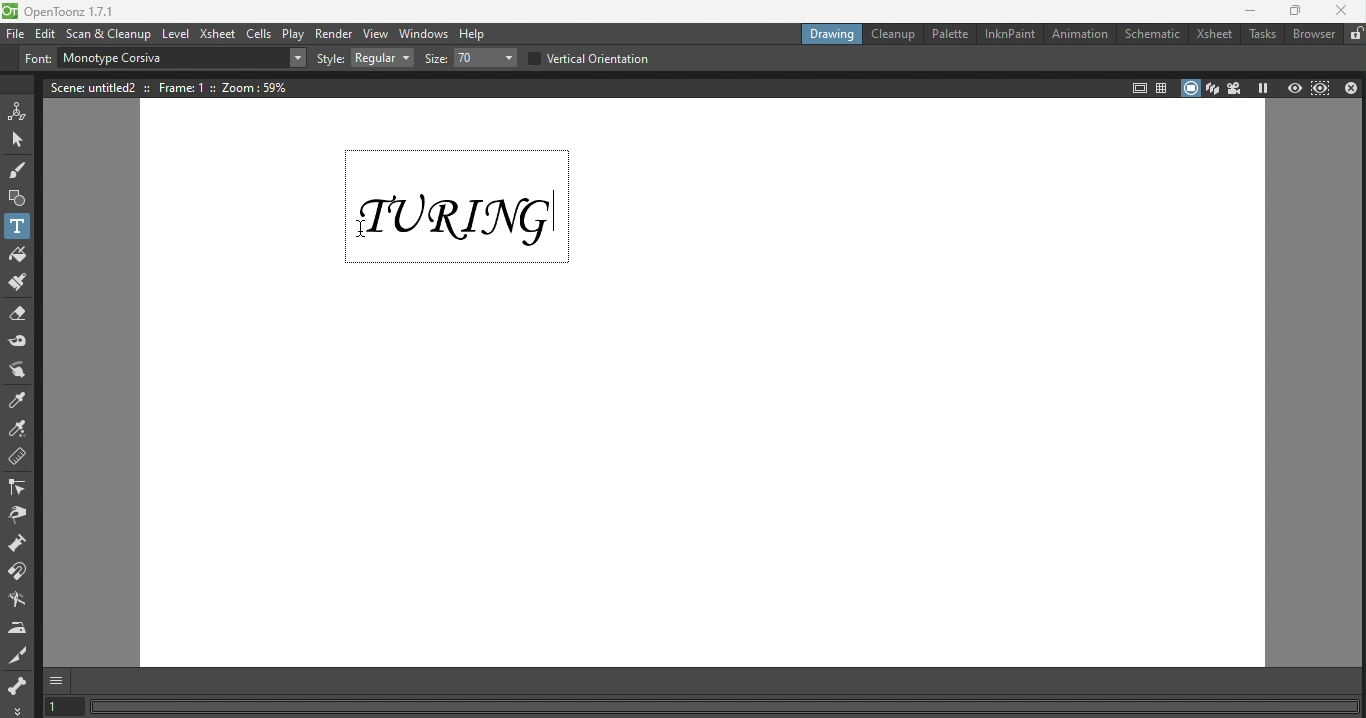 Image resolution: width=1366 pixels, height=718 pixels. Describe the element at coordinates (259, 33) in the screenshot. I see `Cells` at that location.